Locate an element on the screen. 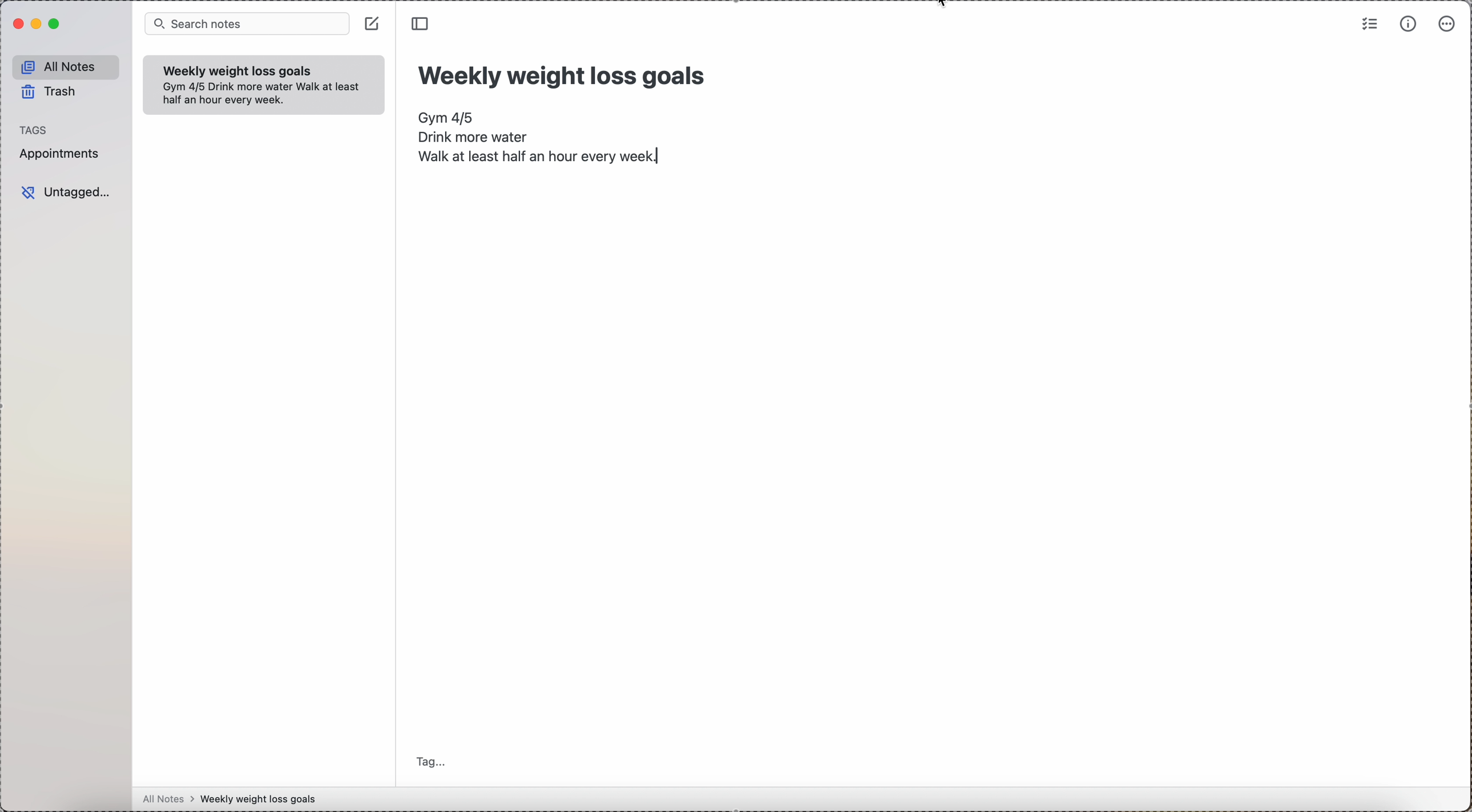  tag is located at coordinates (435, 760).